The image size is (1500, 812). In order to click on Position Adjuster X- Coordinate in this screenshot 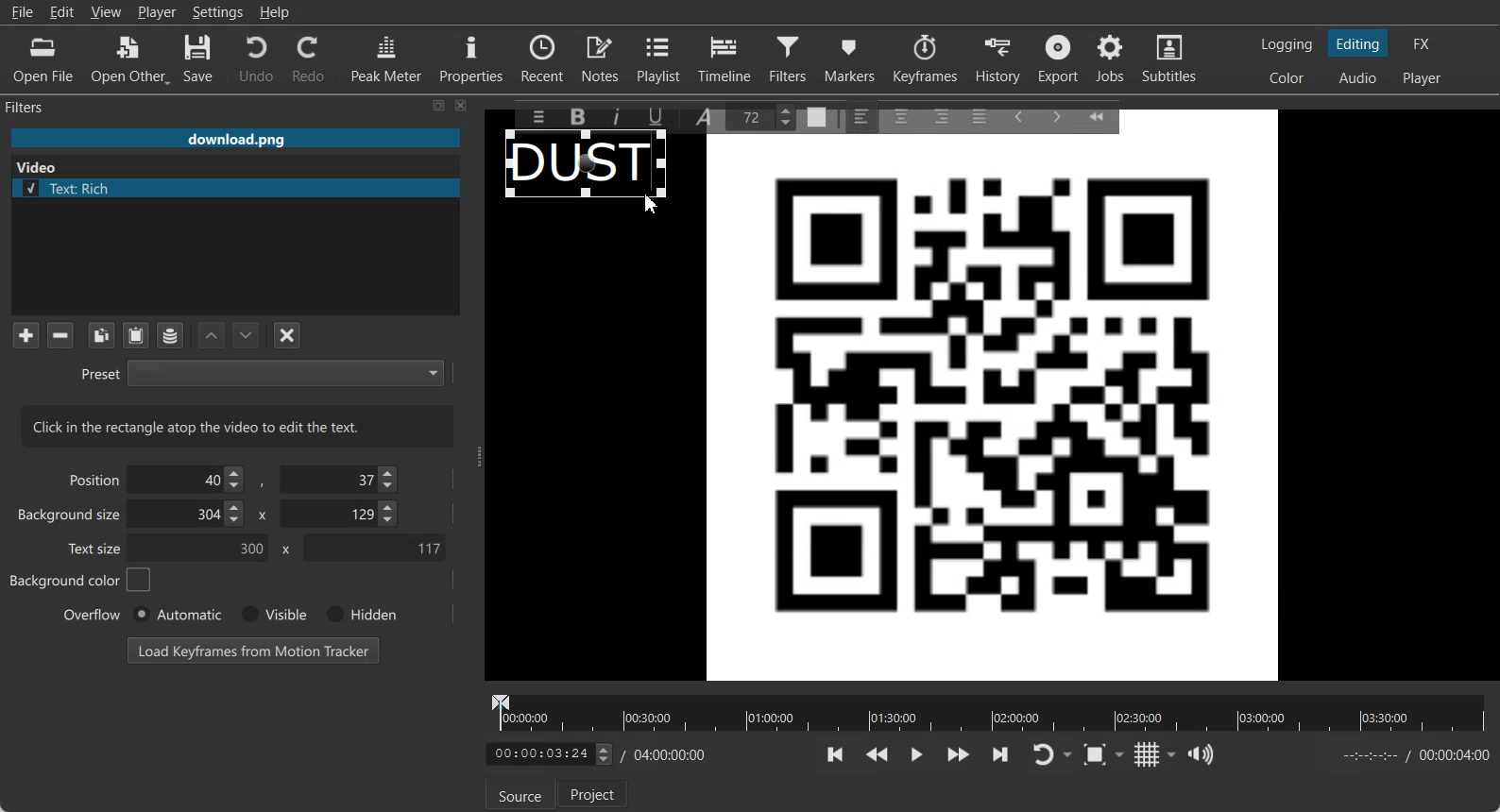, I will do `click(191, 480)`.